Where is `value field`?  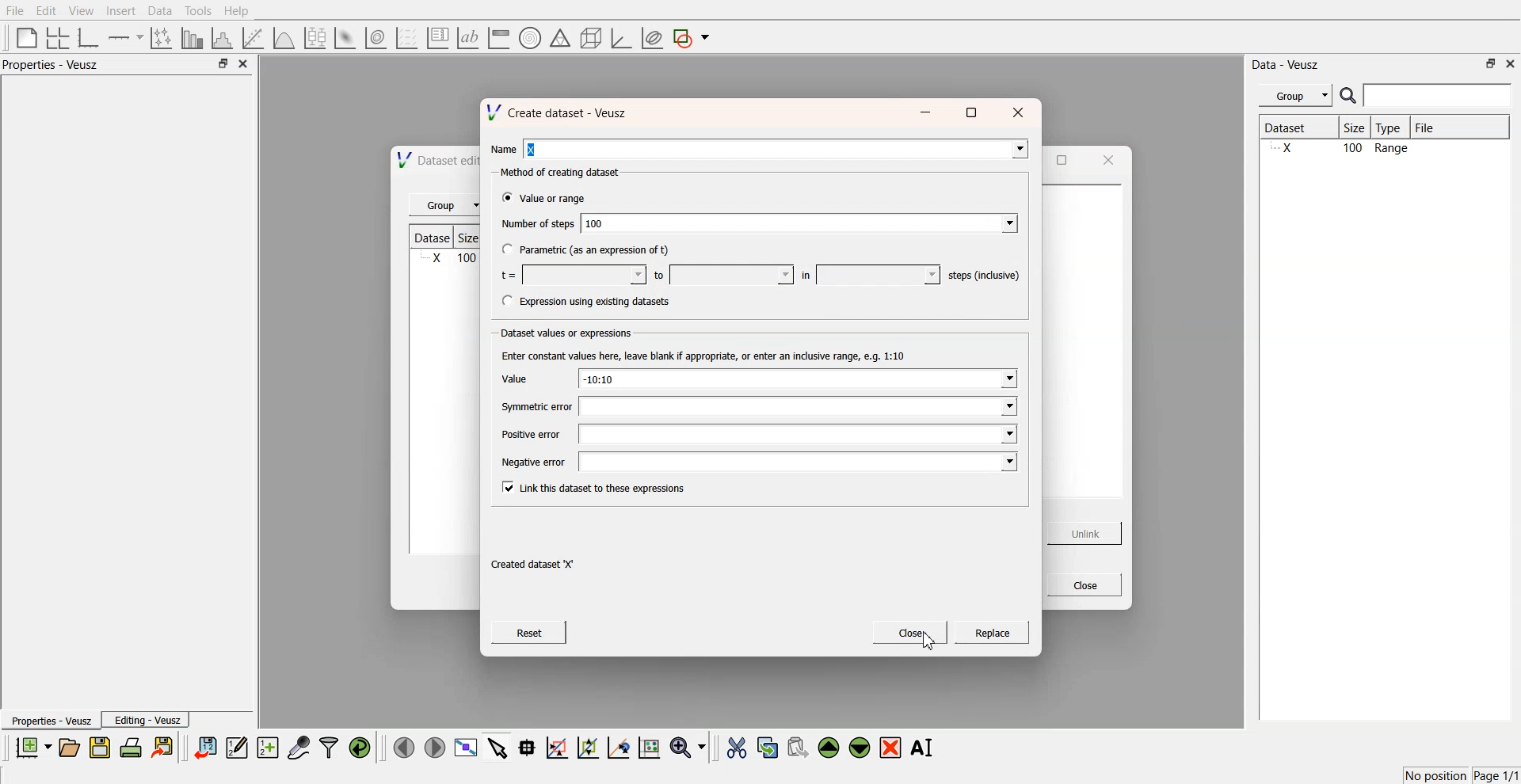 value field is located at coordinates (879, 273).